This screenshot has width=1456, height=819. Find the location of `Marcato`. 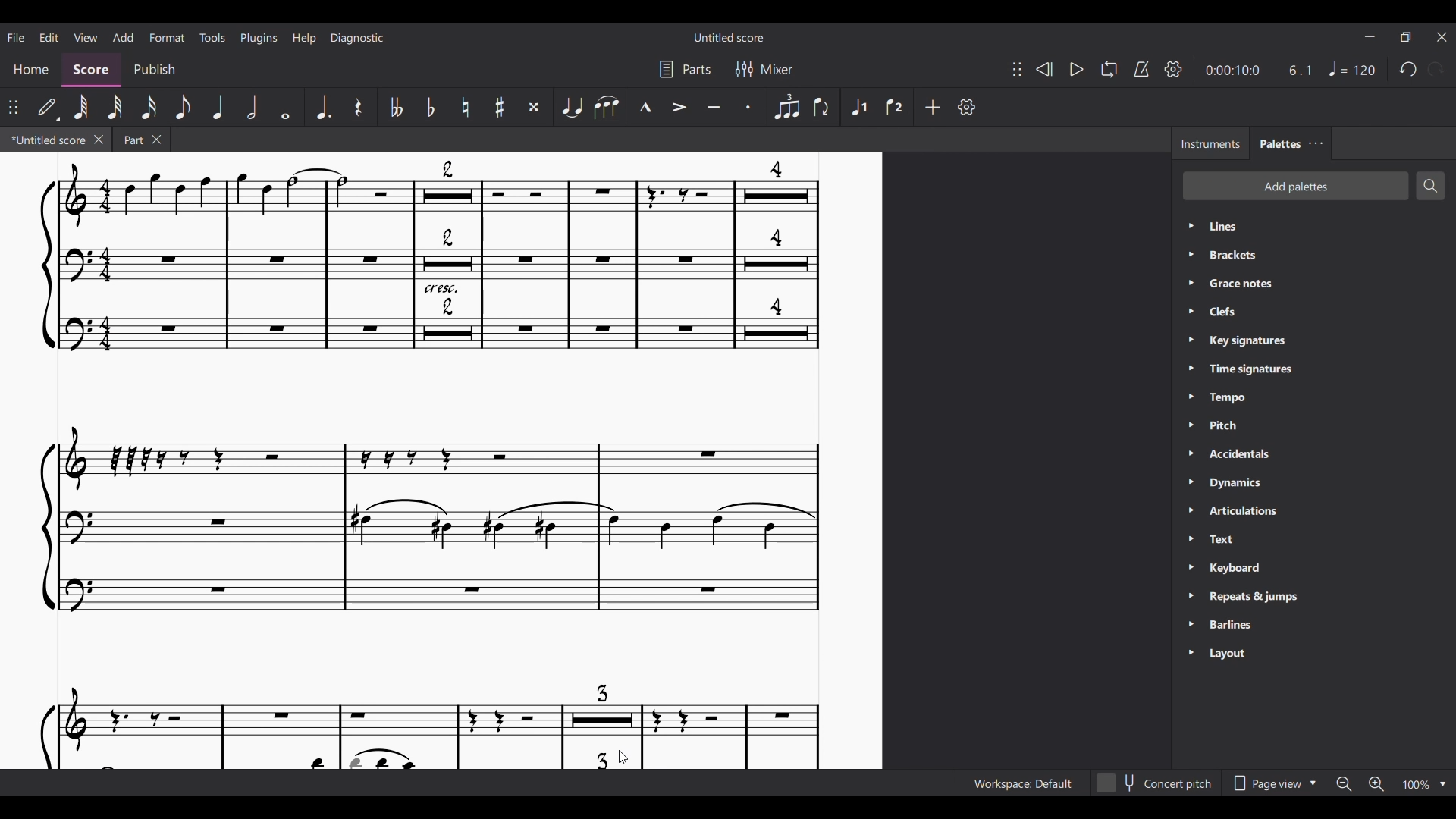

Marcato is located at coordinates (645, 107).